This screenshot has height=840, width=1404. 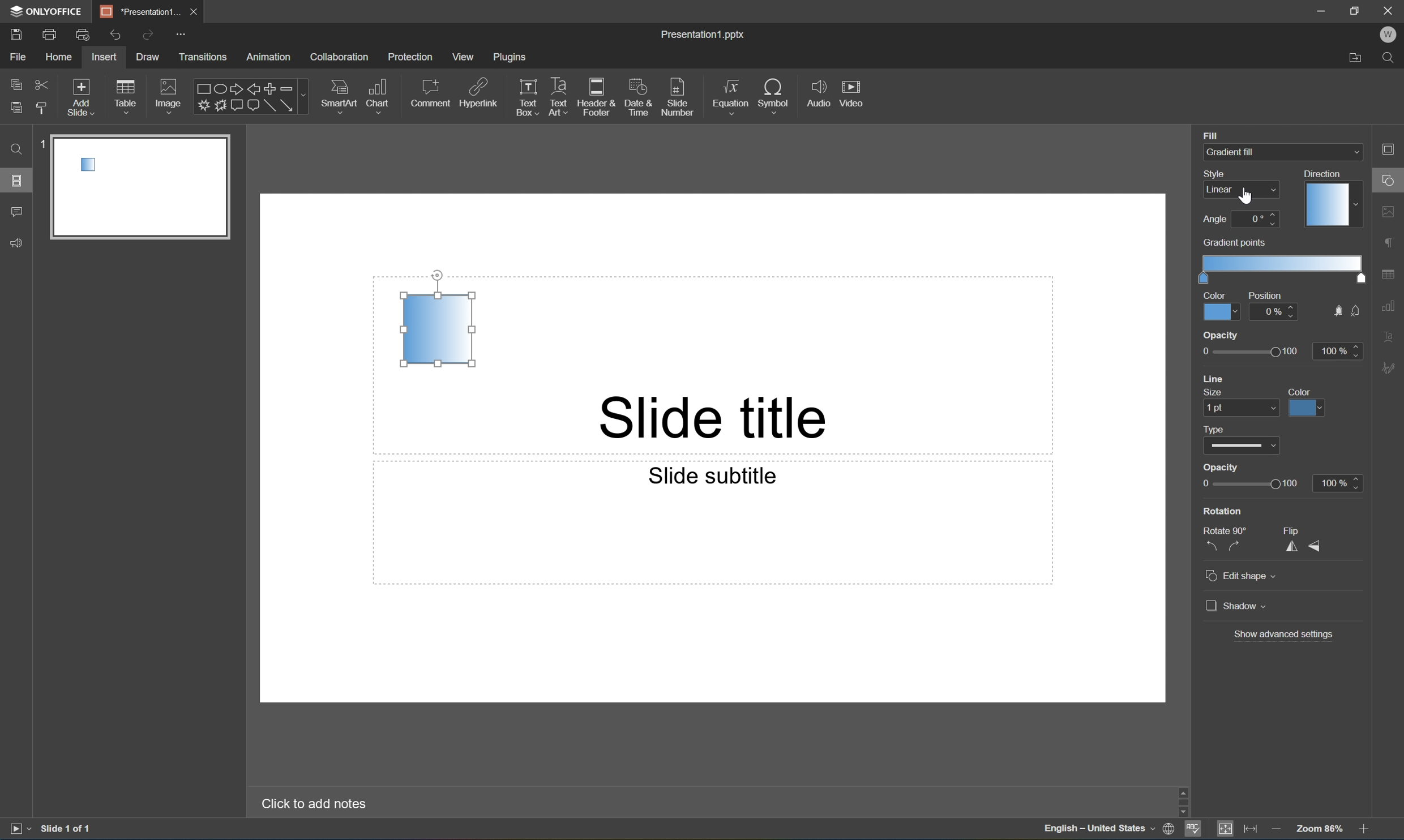 What do you see at coordinates (1364, 812) in the screenshot?
I see `Scroll Down` at bounding box center [1364, 812].